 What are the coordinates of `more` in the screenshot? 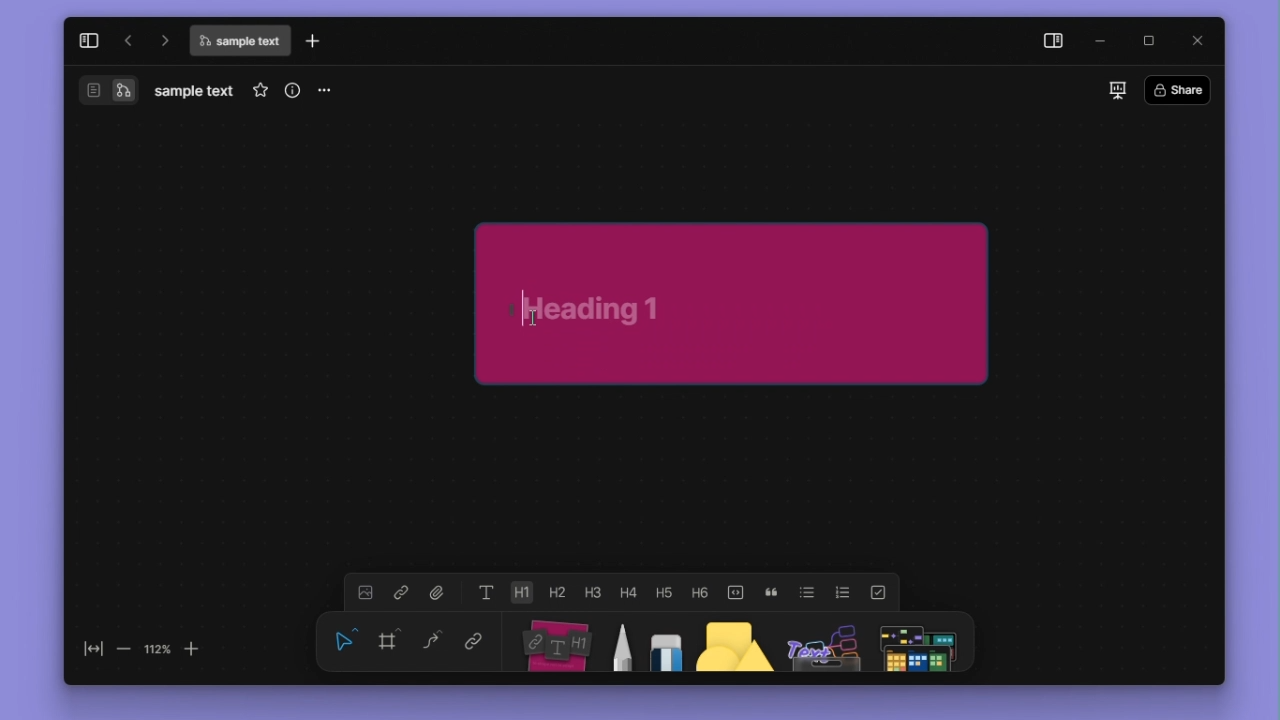 It's located at (322, 92).